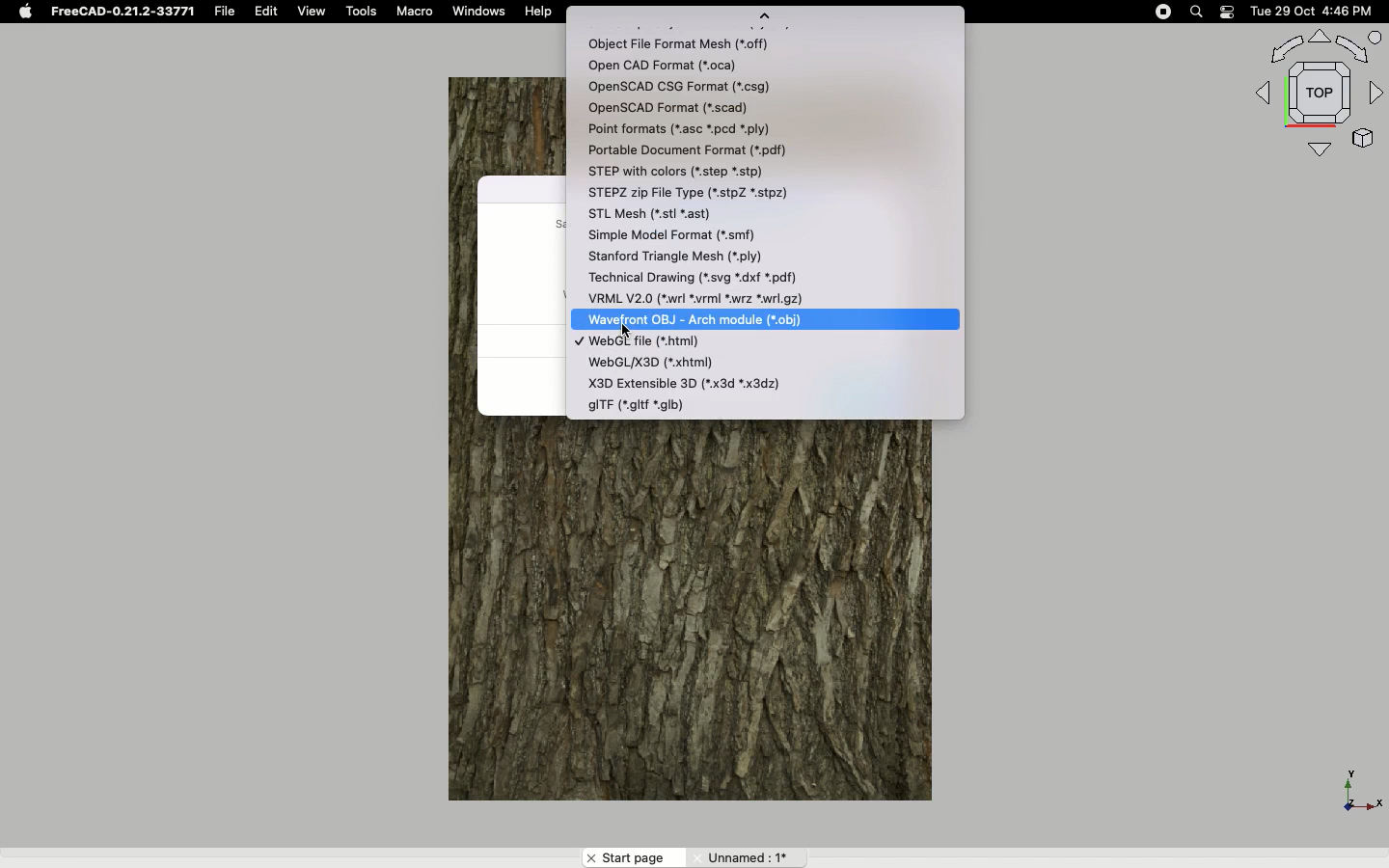 The width and height of the screenshot is (1389, 868). Describe the element at coordinates (540, 12) in the screenshot. I see `Help` at that location.